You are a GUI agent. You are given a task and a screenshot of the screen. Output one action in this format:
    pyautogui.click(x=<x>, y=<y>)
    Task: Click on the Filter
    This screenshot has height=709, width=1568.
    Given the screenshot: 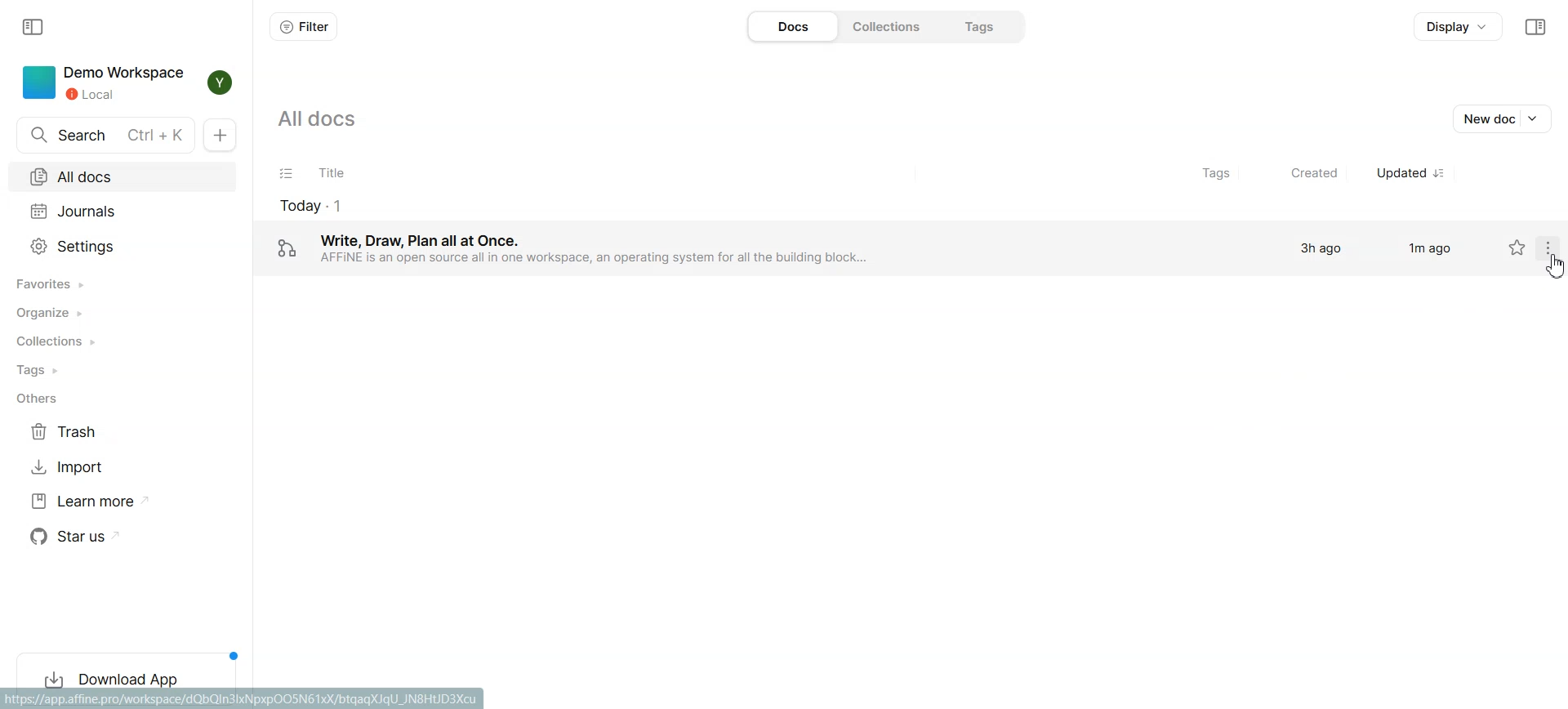 What is the action you would take?
    pyautogui.click(x=303, y=27)
    